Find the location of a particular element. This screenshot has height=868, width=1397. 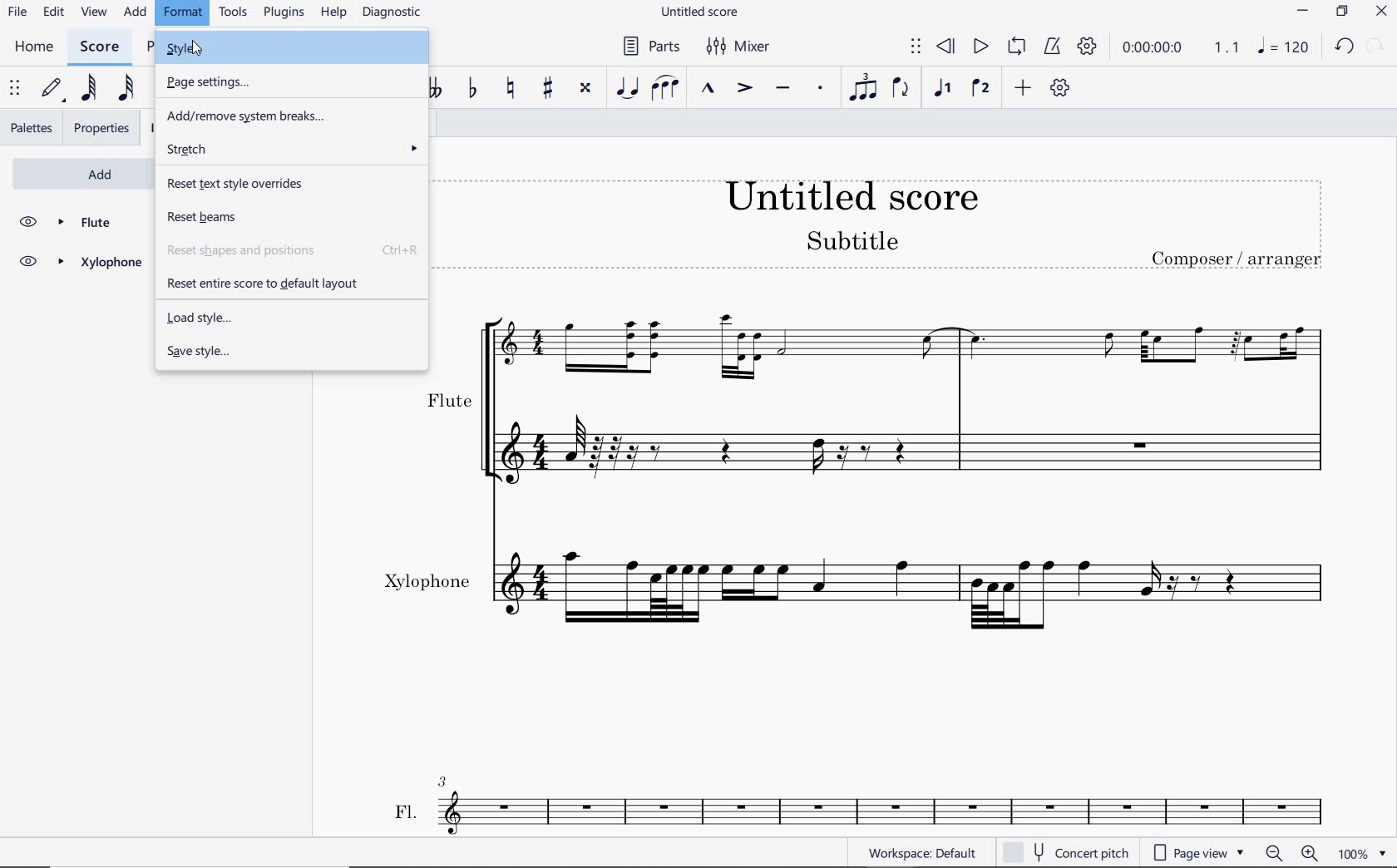

PALETTES is located at coordinates (30, 128).